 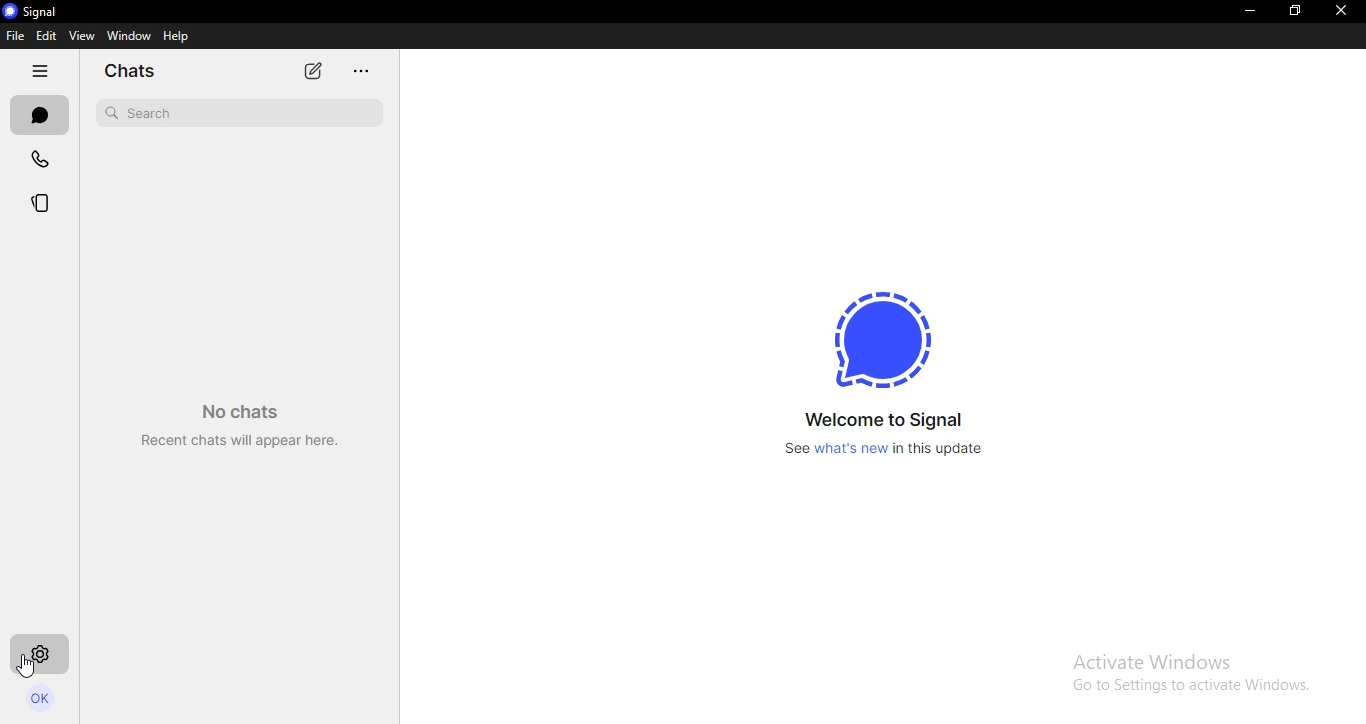 What do you see at coordinates (81, 36) in the screenshot?
I see `view` at bounding box center [81, 36].